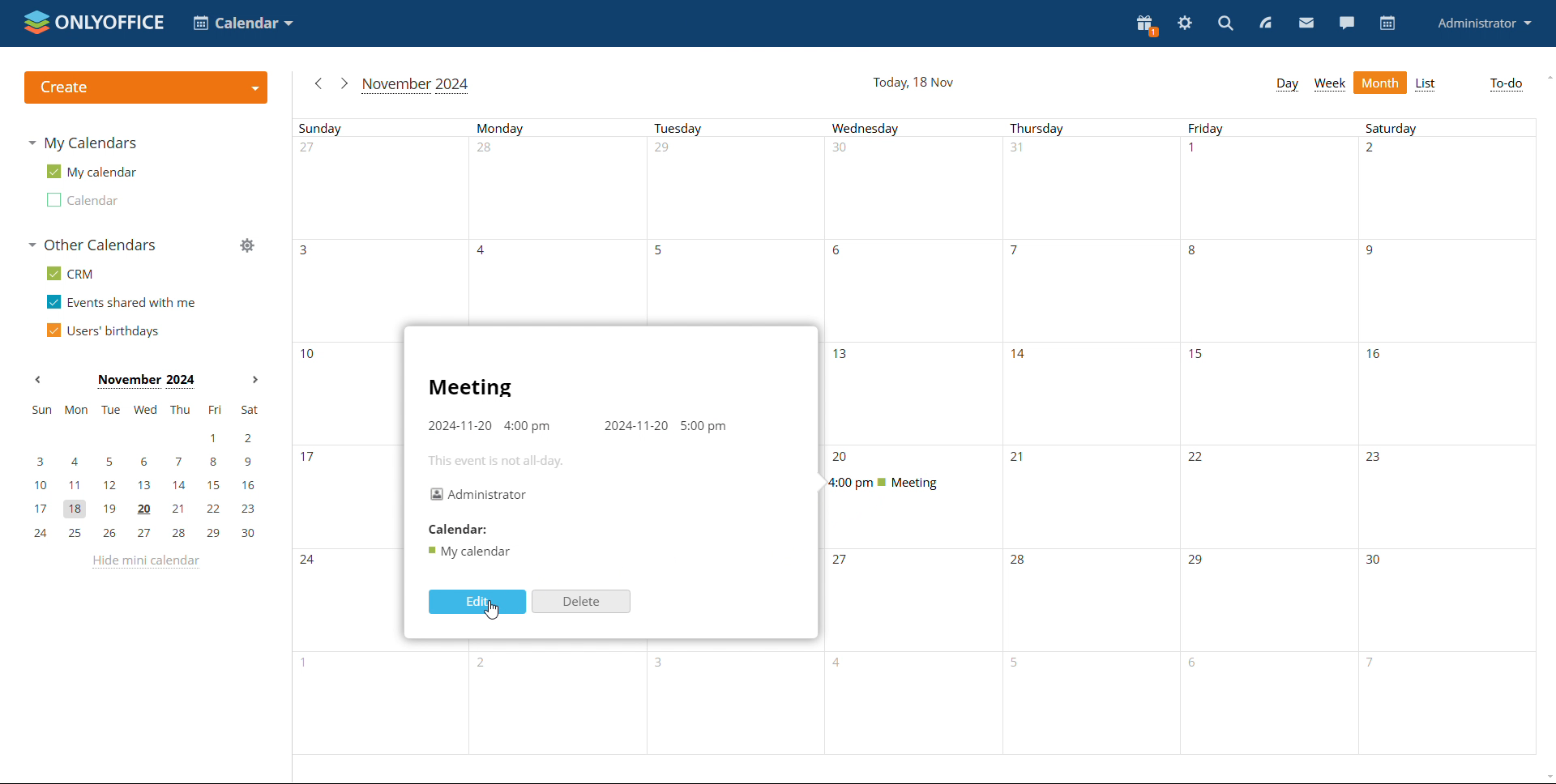 This screenshot has width=1556, height=784. I want to click on individual date, so click(345, 436).